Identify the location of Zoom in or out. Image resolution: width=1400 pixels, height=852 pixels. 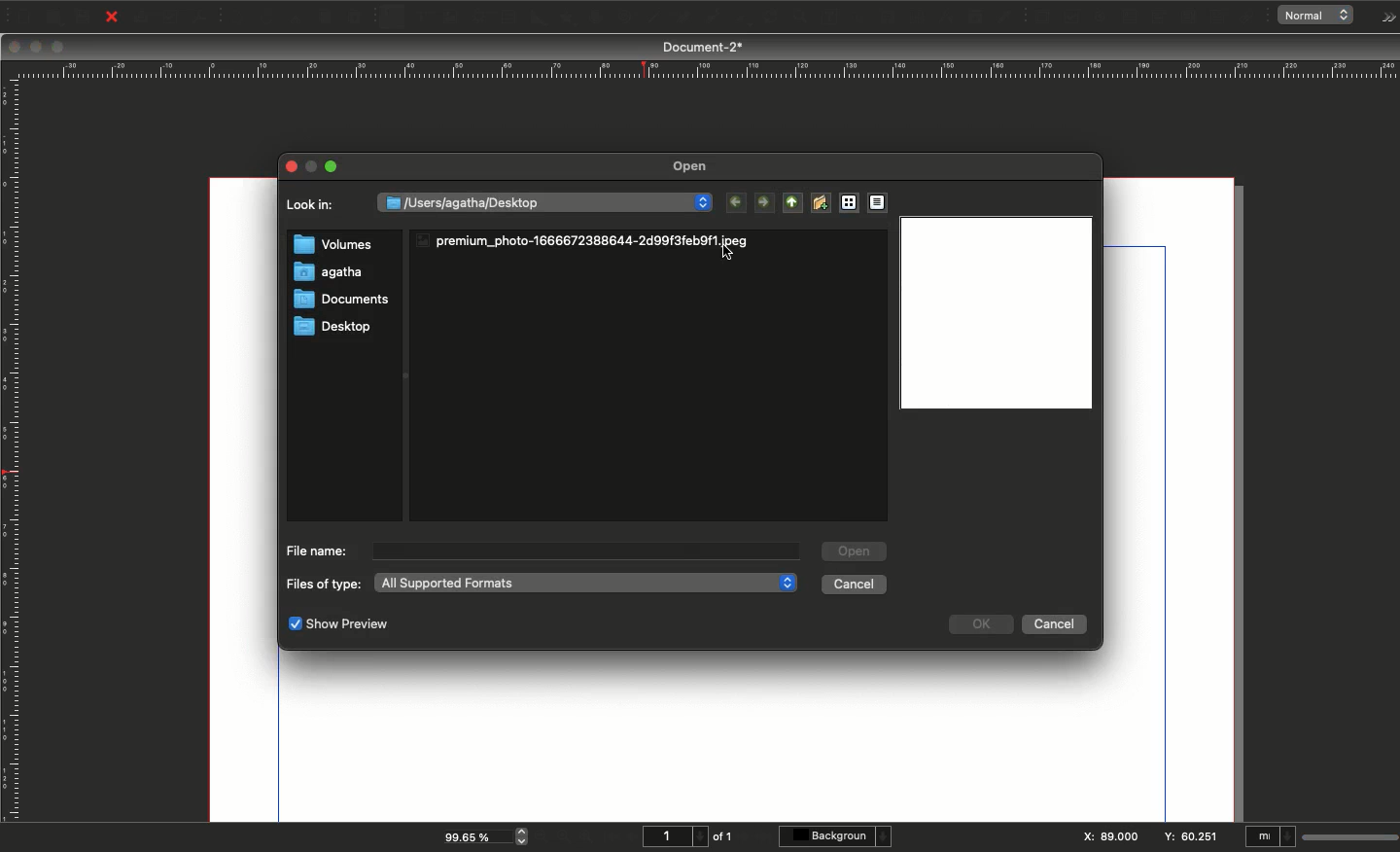
(773, 19).